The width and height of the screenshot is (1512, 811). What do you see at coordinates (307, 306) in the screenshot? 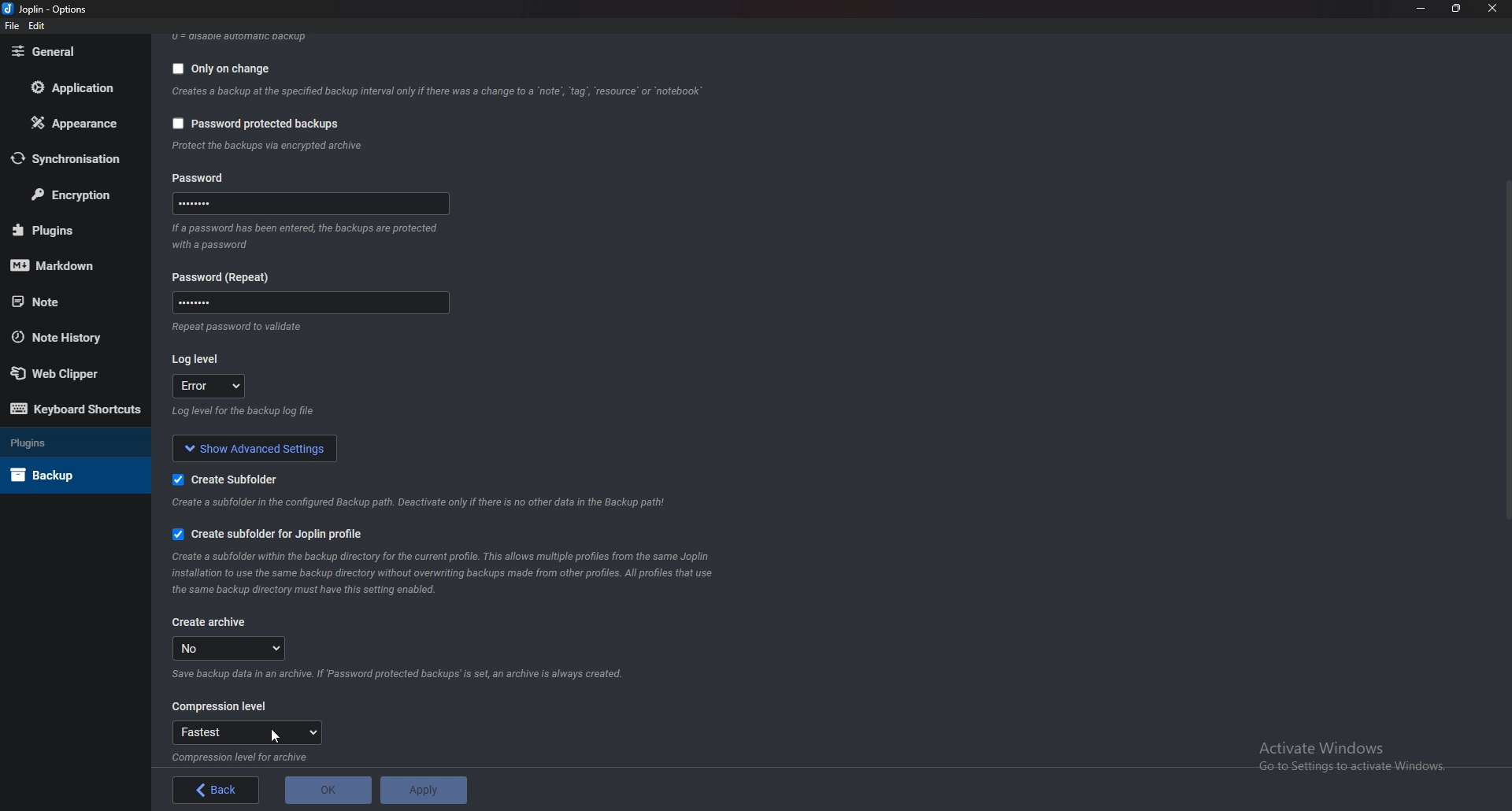
I see `Password` at bounding box center [307, 306].